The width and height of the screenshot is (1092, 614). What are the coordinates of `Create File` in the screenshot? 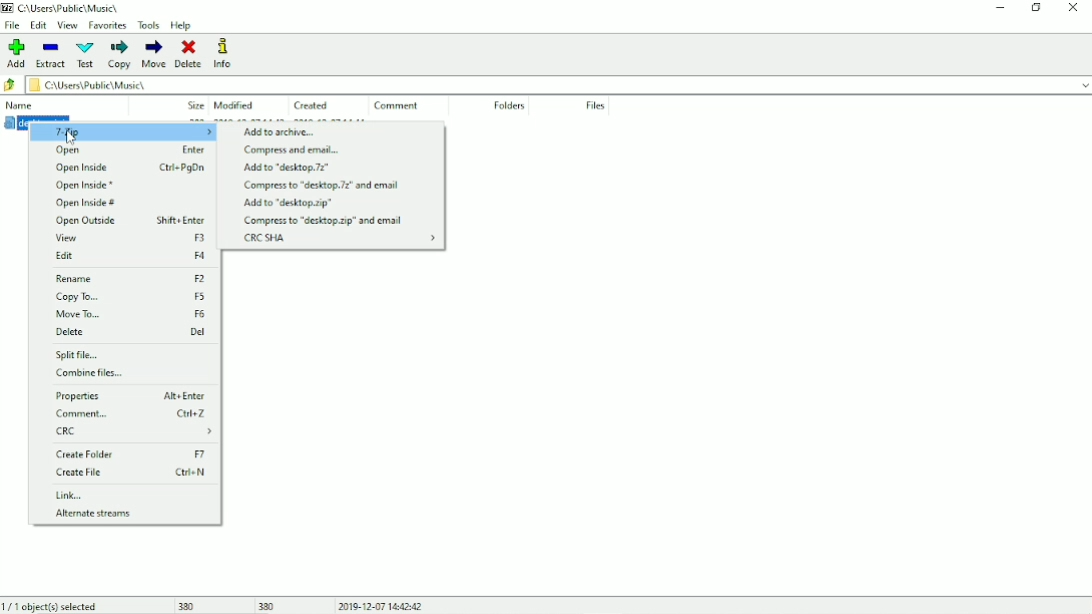 It's located at (129, 472).